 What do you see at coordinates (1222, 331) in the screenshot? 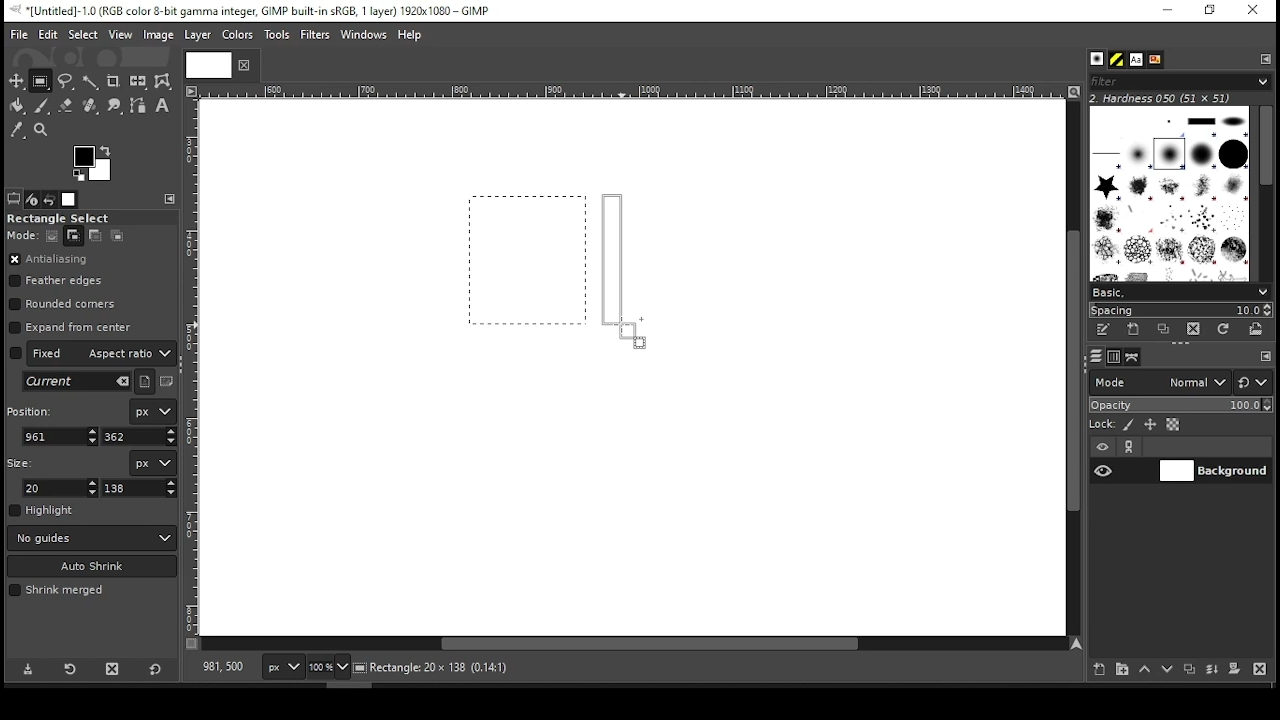
I see `refresh brushes` at bounding box center [1222, 331].